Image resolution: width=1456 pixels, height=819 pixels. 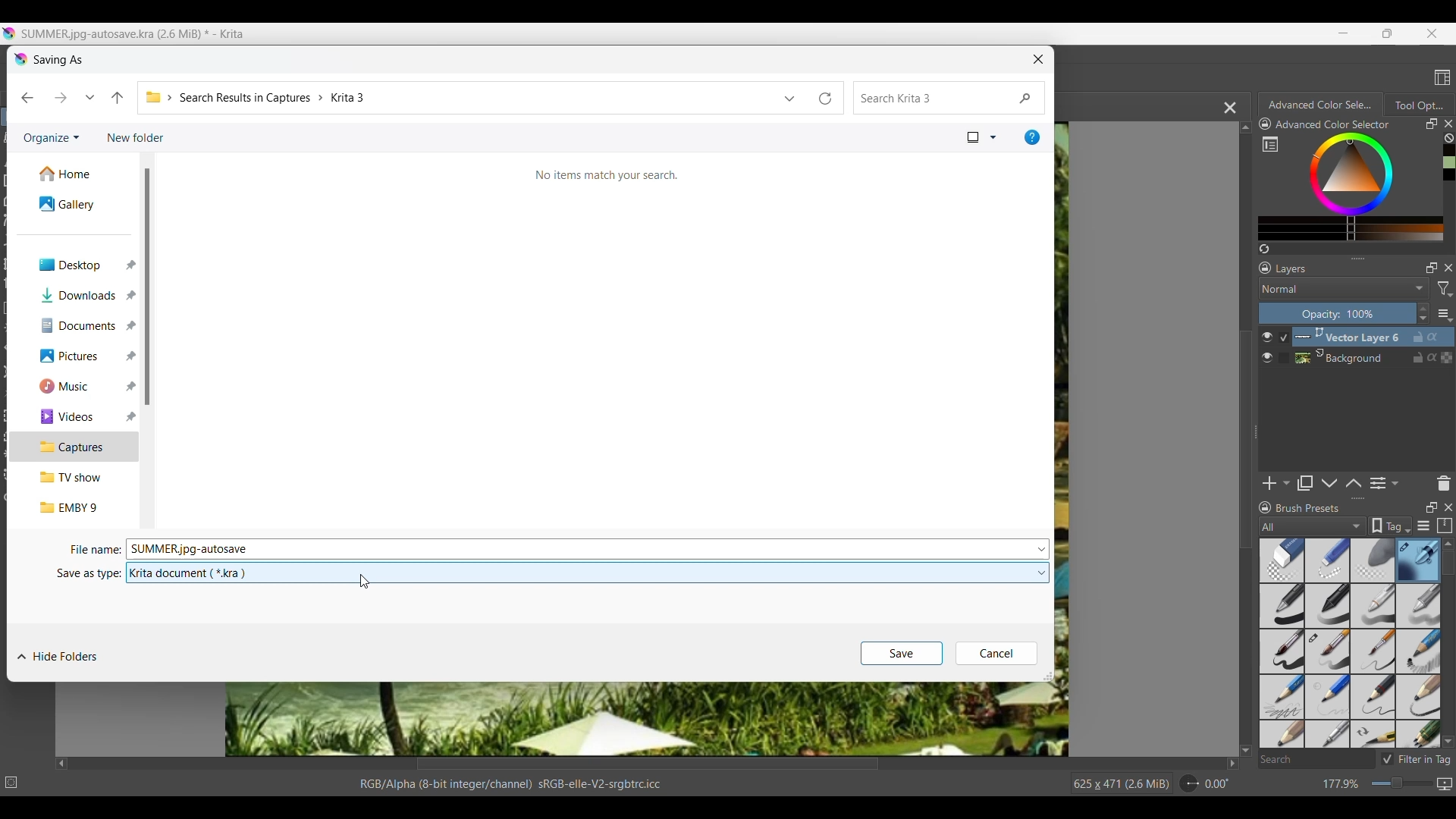 What do you see at coordinates (949, 98) in the screenshot?
I see `Quick search` at bounding box center [949, 98].